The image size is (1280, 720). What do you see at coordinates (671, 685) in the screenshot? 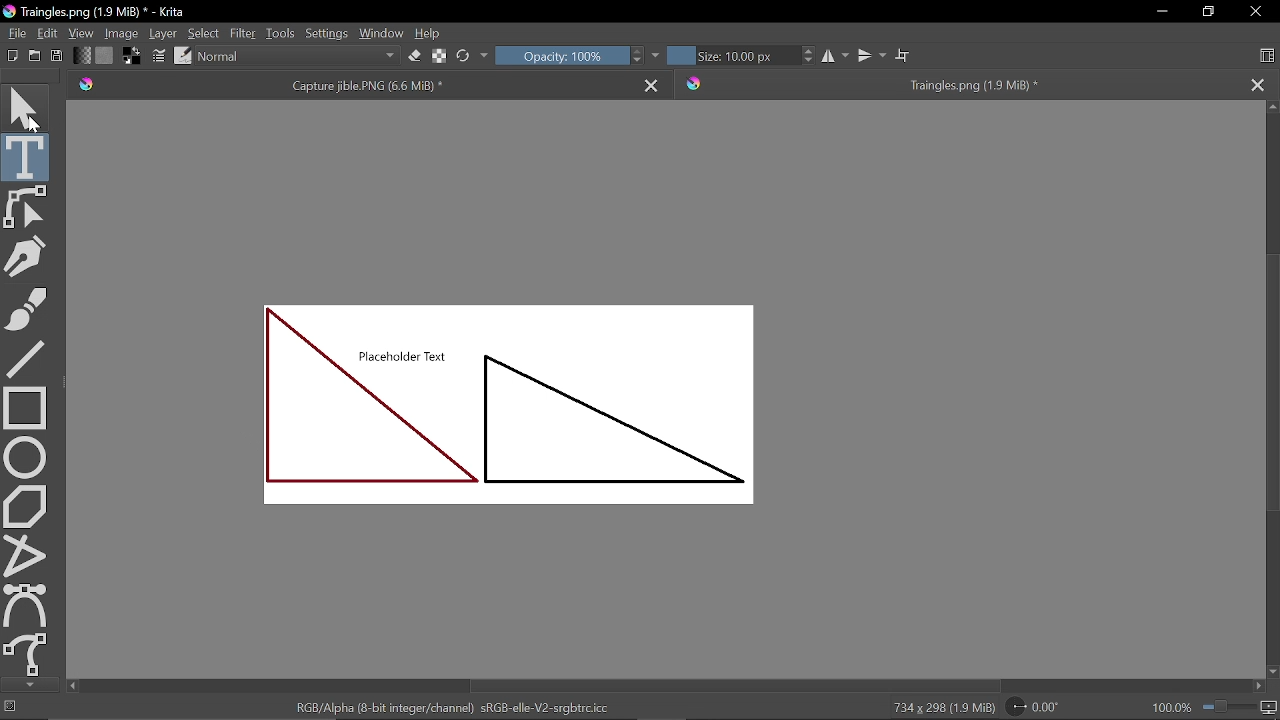
I see `Horizontal scrollbar` at bounding box center [671, 685].